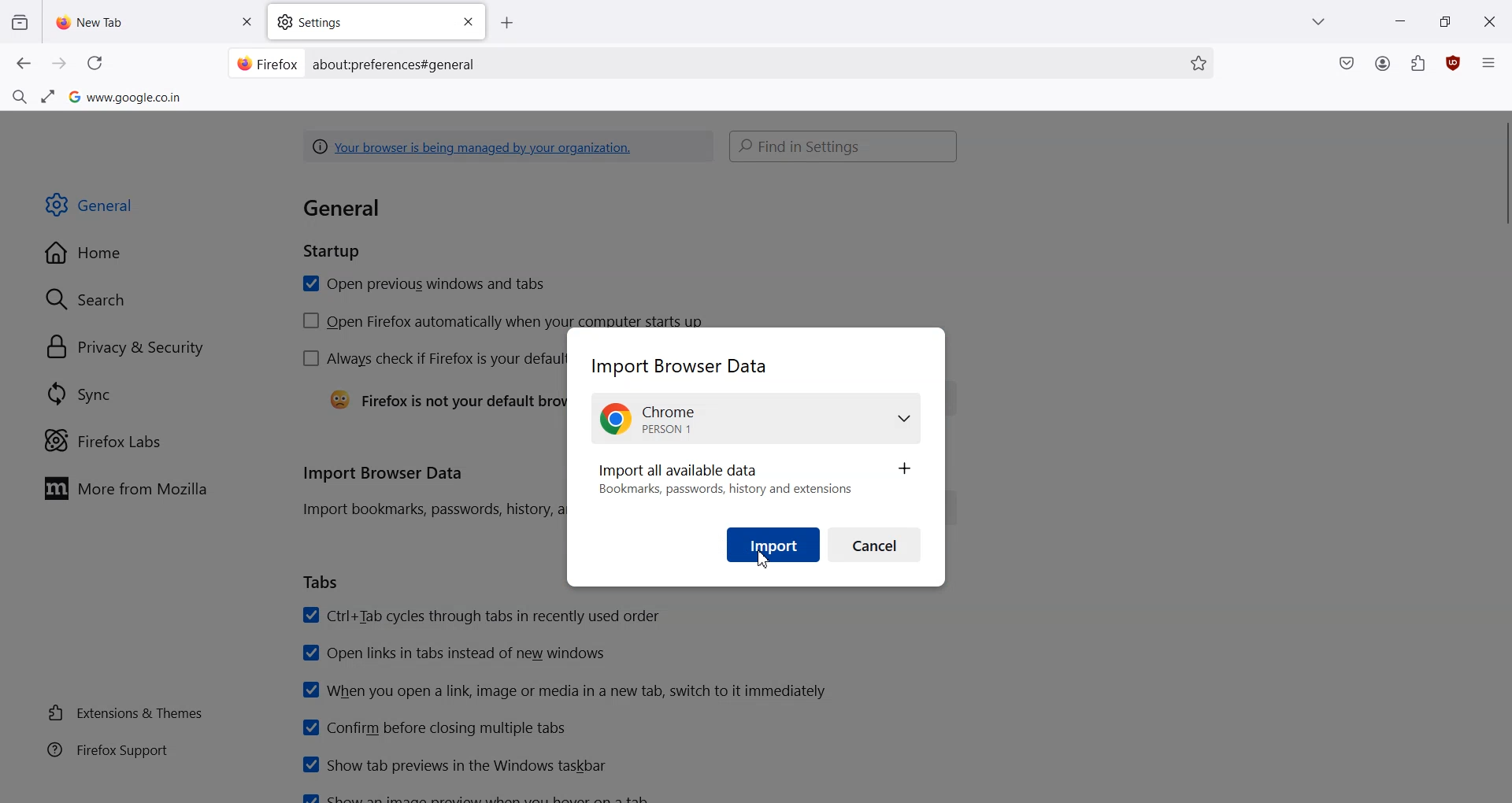 This screenshot has width=1512, height=803. Describe the element at coordinates (1503, 172) in the screenshot. I see `scroll bar` at that location.